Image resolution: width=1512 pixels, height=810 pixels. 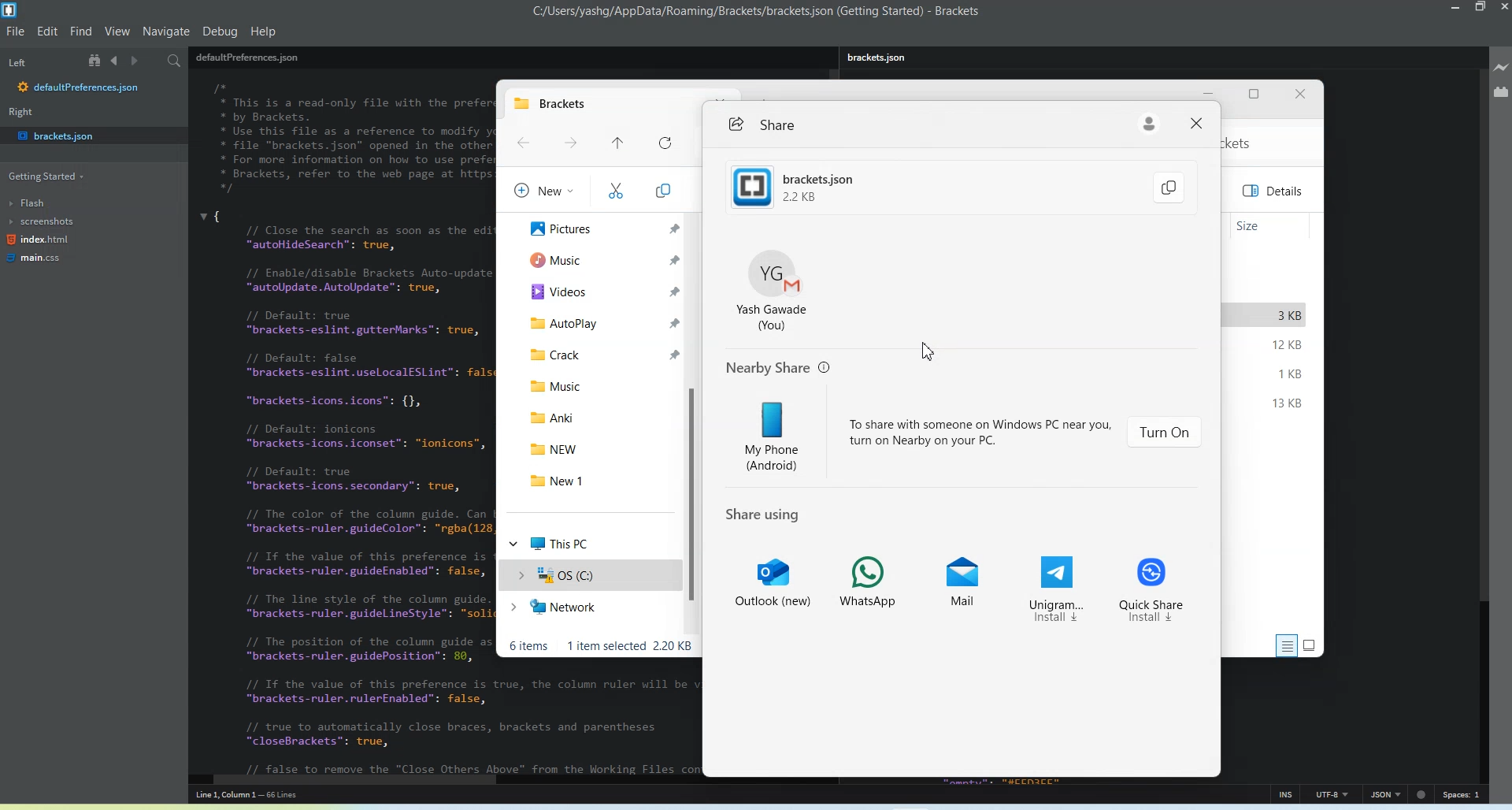 I want to click on Quick Share, so click(x=1157, y=584).